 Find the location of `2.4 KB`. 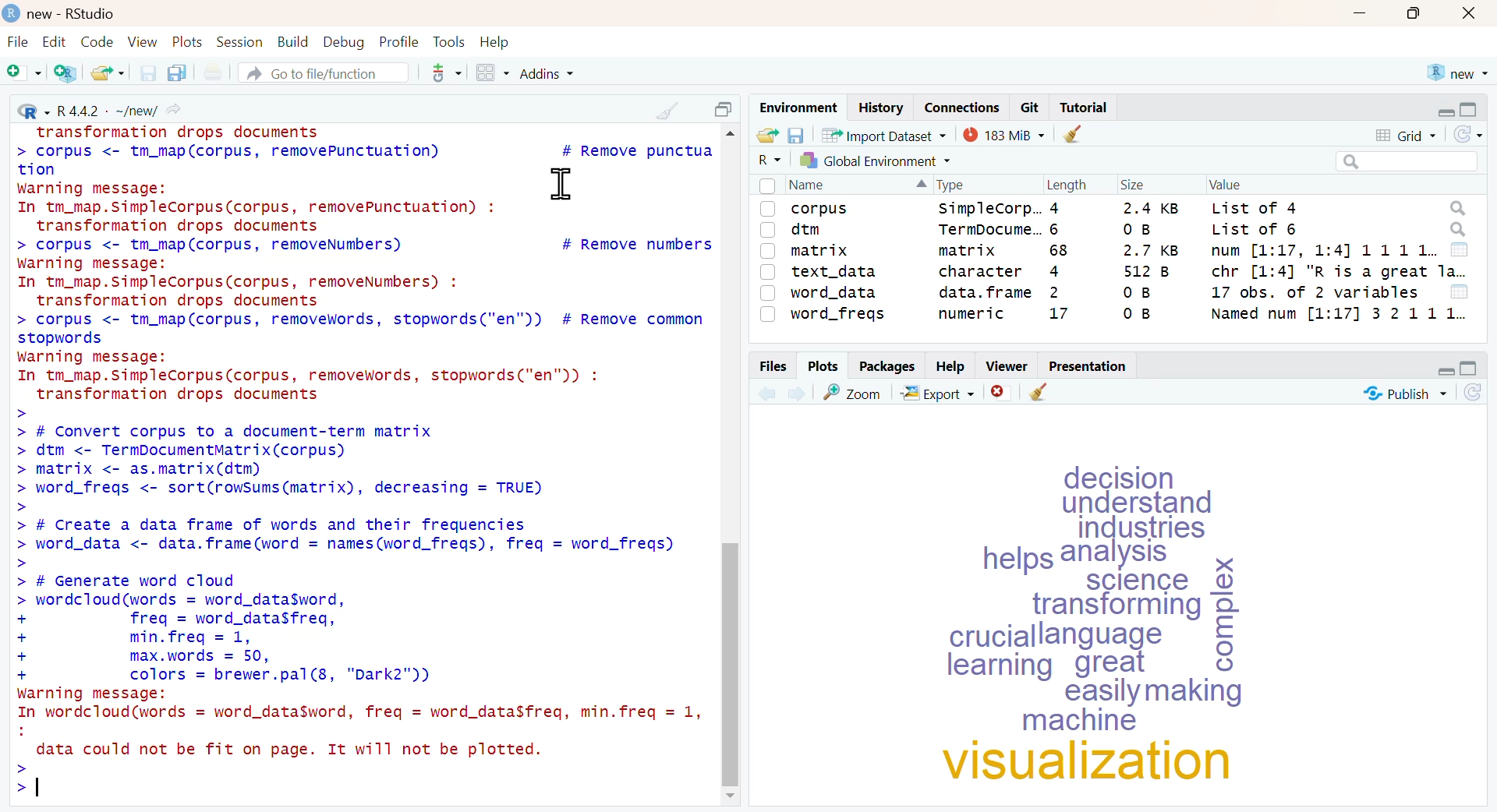

2.4 KB is located at coordinates (1147, 207).